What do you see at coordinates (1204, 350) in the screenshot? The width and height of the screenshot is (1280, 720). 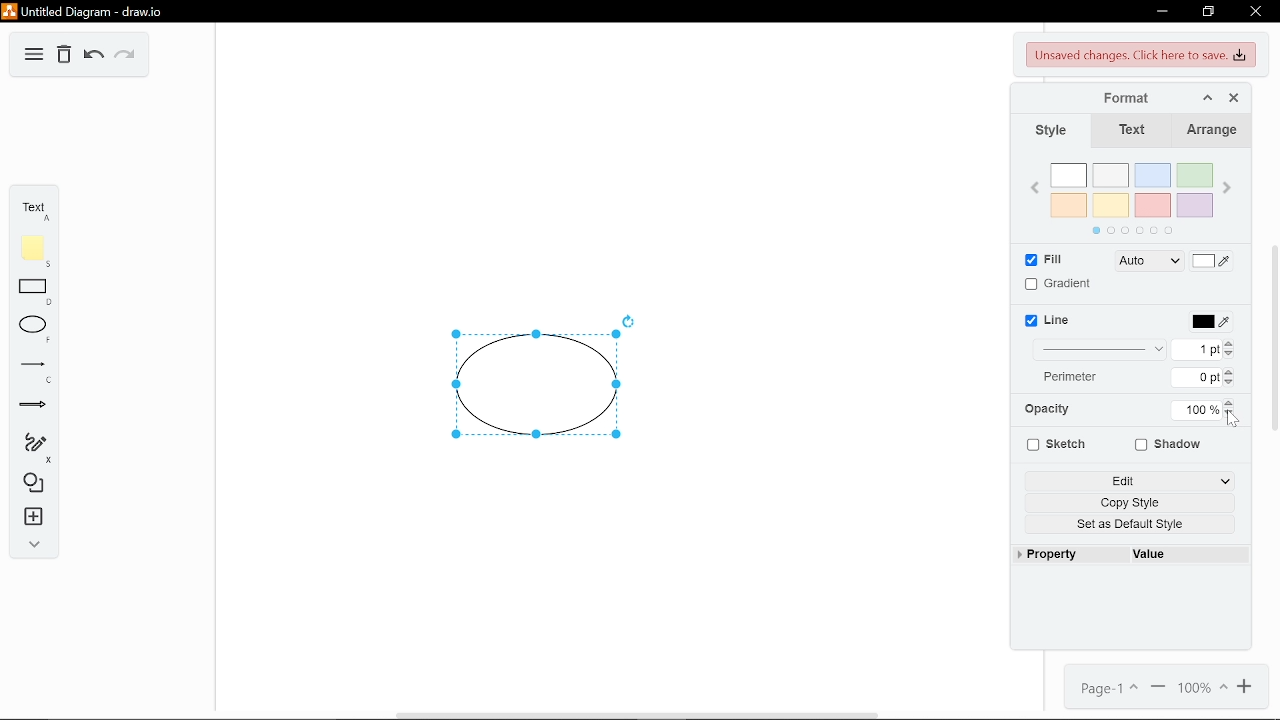 I see `Current thickness` at bounding box center [1204, 350].